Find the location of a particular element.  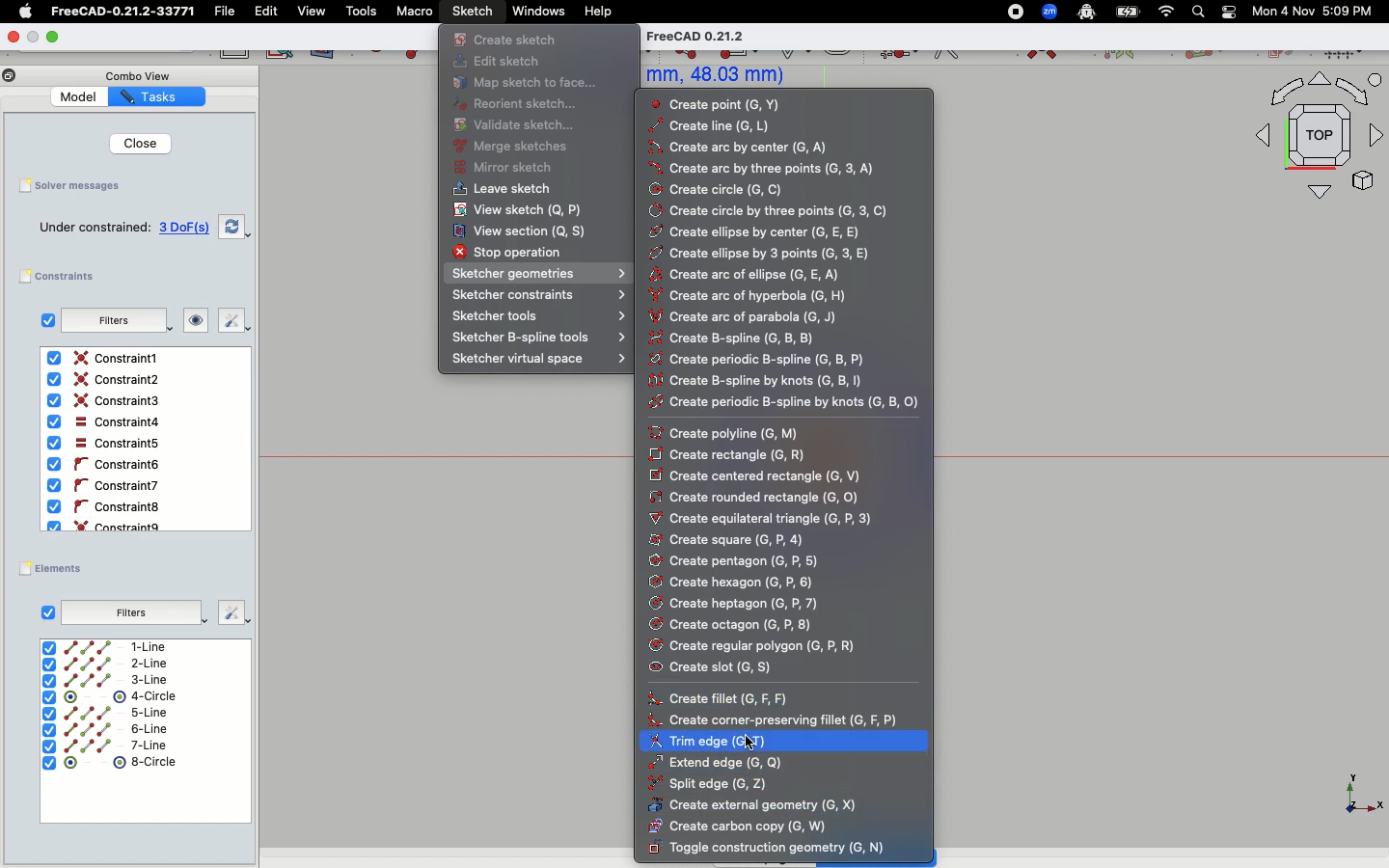

Merge sketches is located at coordinates (529, 146).